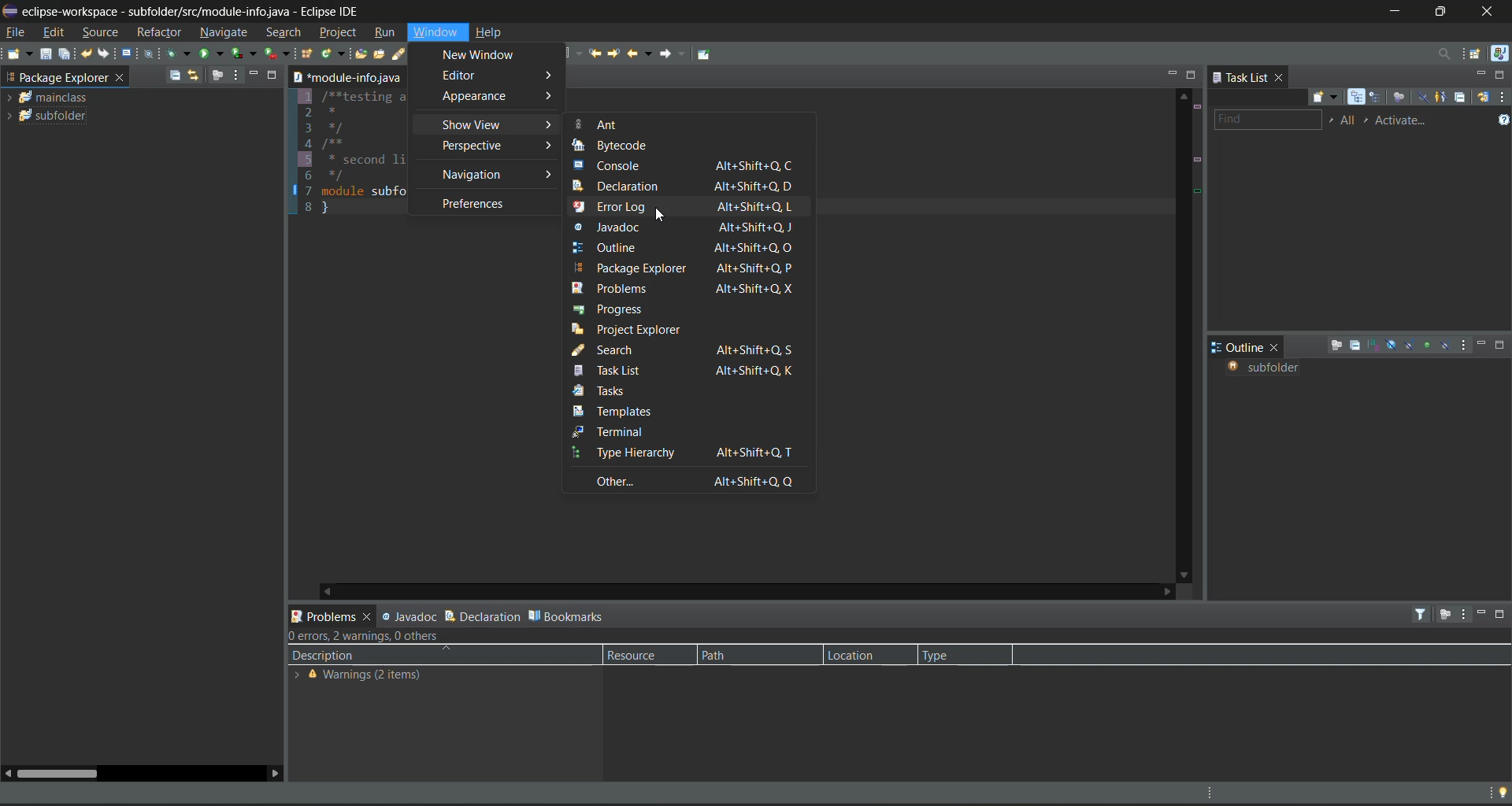 This screenshot has width=1512, height=806. Describe the element at coordinates (1442, 12) in the screenshot. I see `maximize` at that location.